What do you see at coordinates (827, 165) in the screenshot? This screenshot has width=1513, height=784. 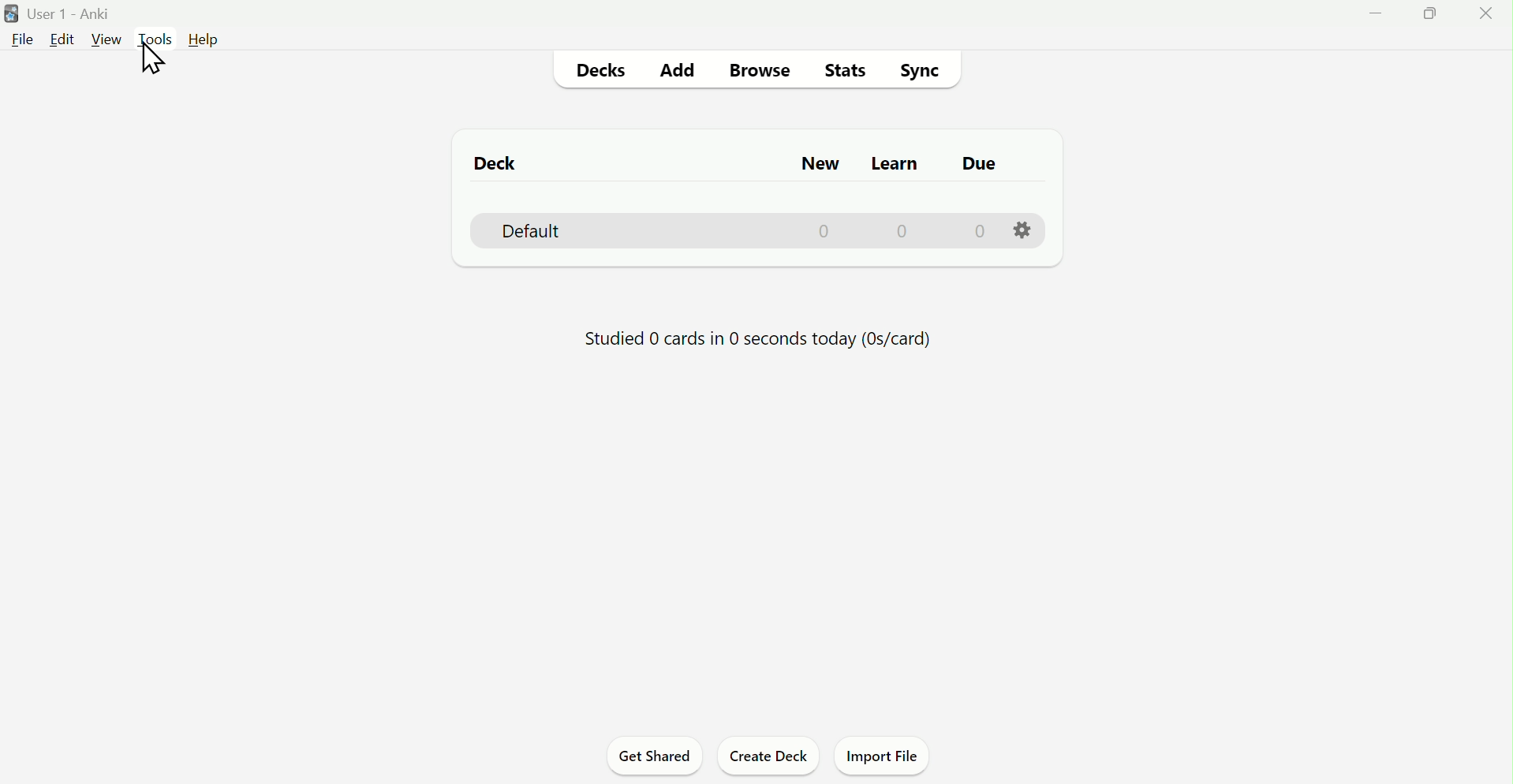 I see `New` at bounding box center [827, 165].